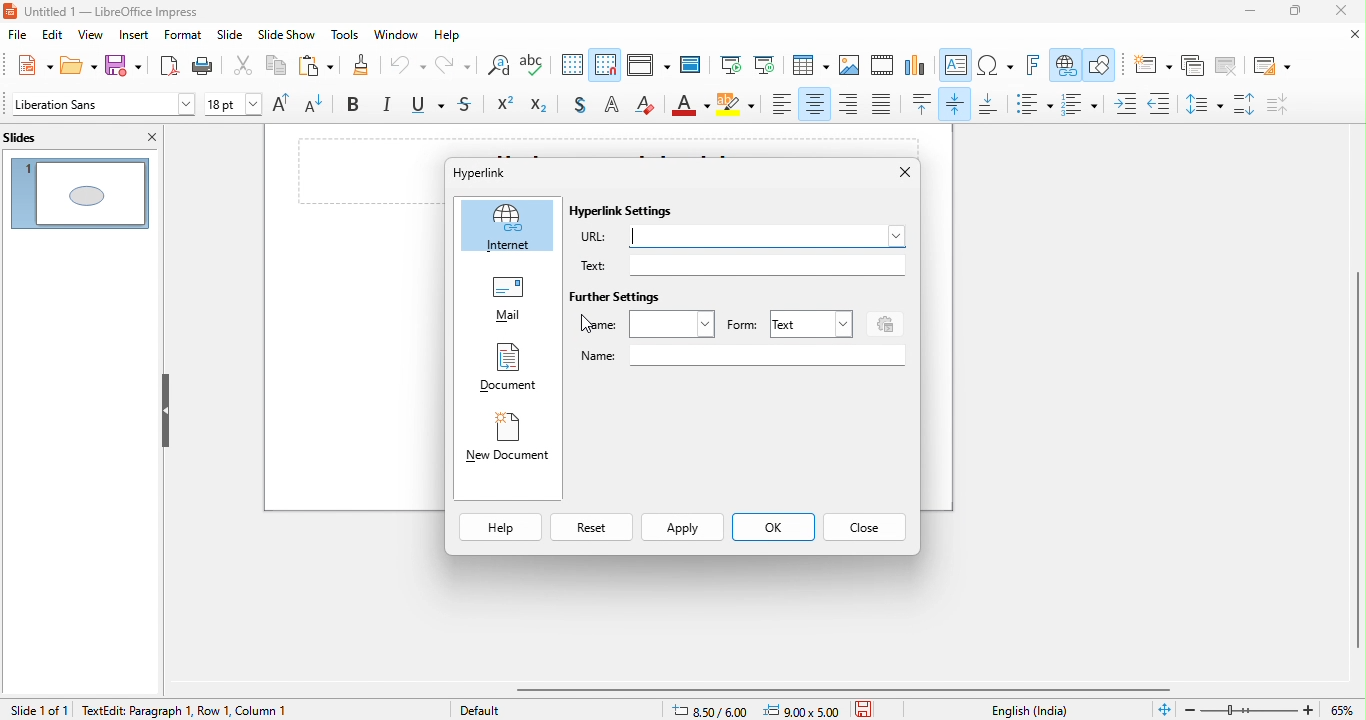 The height and width of the screenshot is (720, 1366). Describe the element at coordinates (573, 66) in the screenshot. I see `display to grid` at that location.